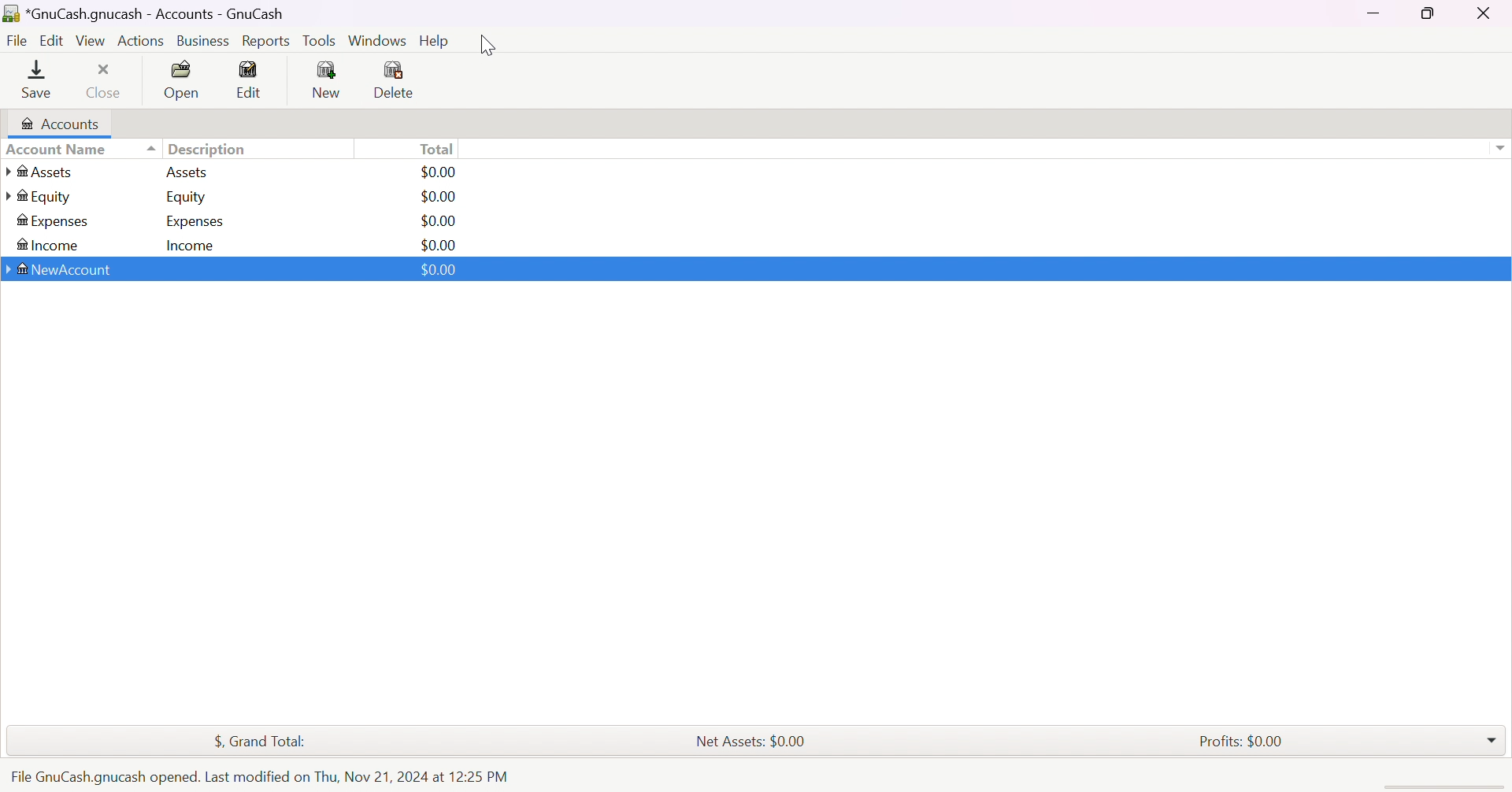 The image size is (1512, 792). Describe the element at coordinates (63, 124) in the screenshot. I see `Accounts` at that location.